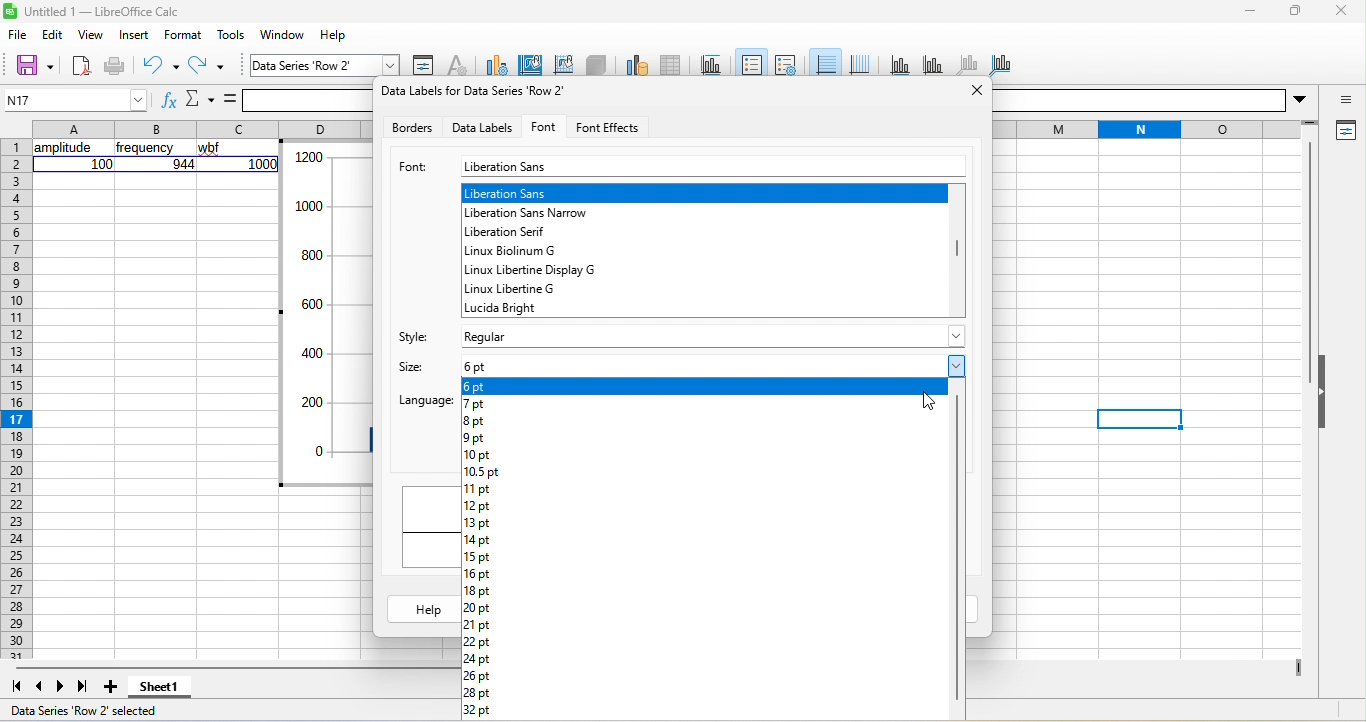 This screenshot has width=1366, height=722. What do you see at coordinates (526, 63) in the screenshot?
I see `chart area` at bounding box center [526, 63].